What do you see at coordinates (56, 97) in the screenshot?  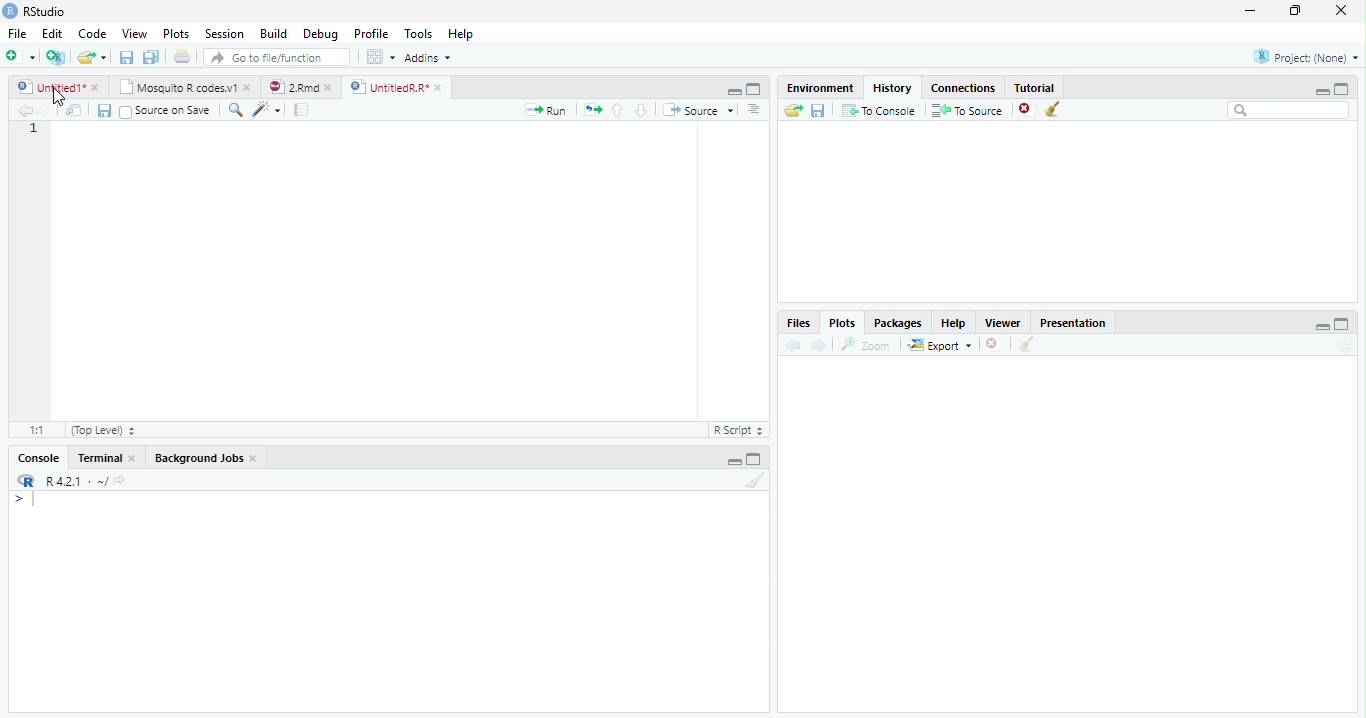 I see `Cursor` at bounding box center [56, 97].